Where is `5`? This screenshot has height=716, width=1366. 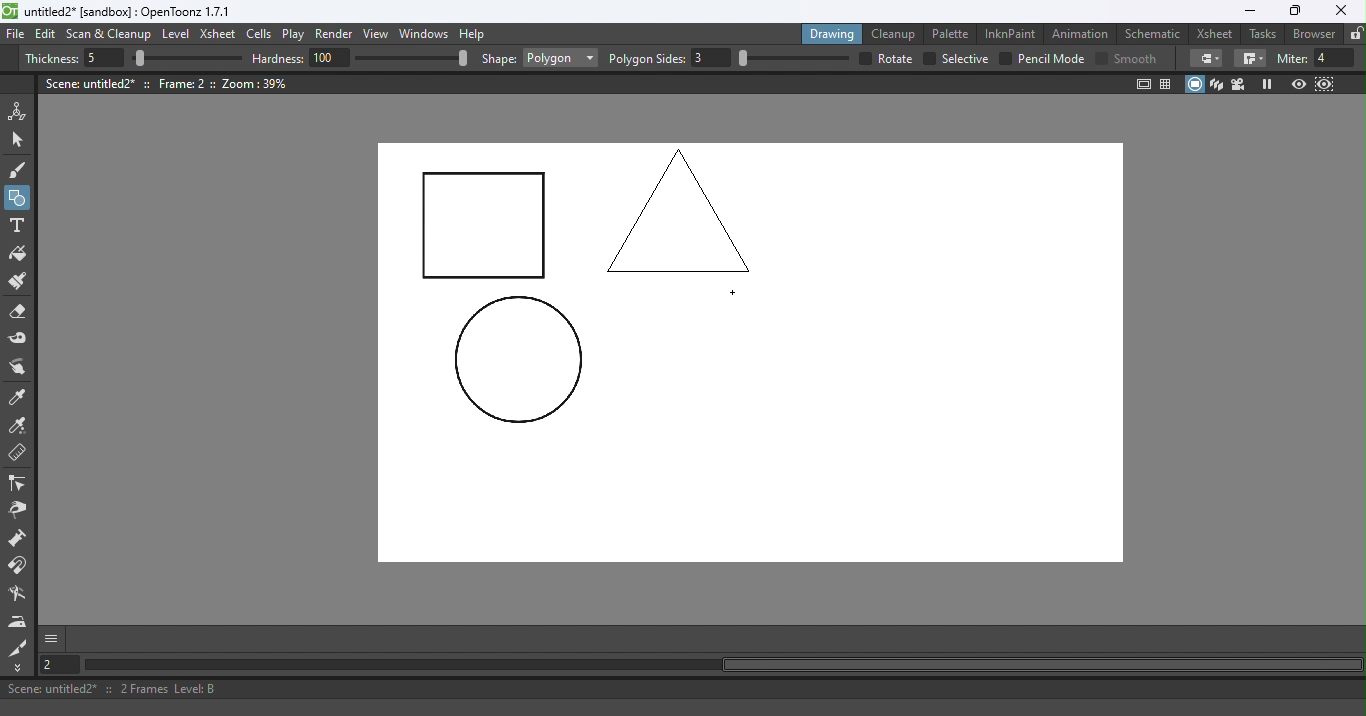
5 is located at coordinates (101, 59).